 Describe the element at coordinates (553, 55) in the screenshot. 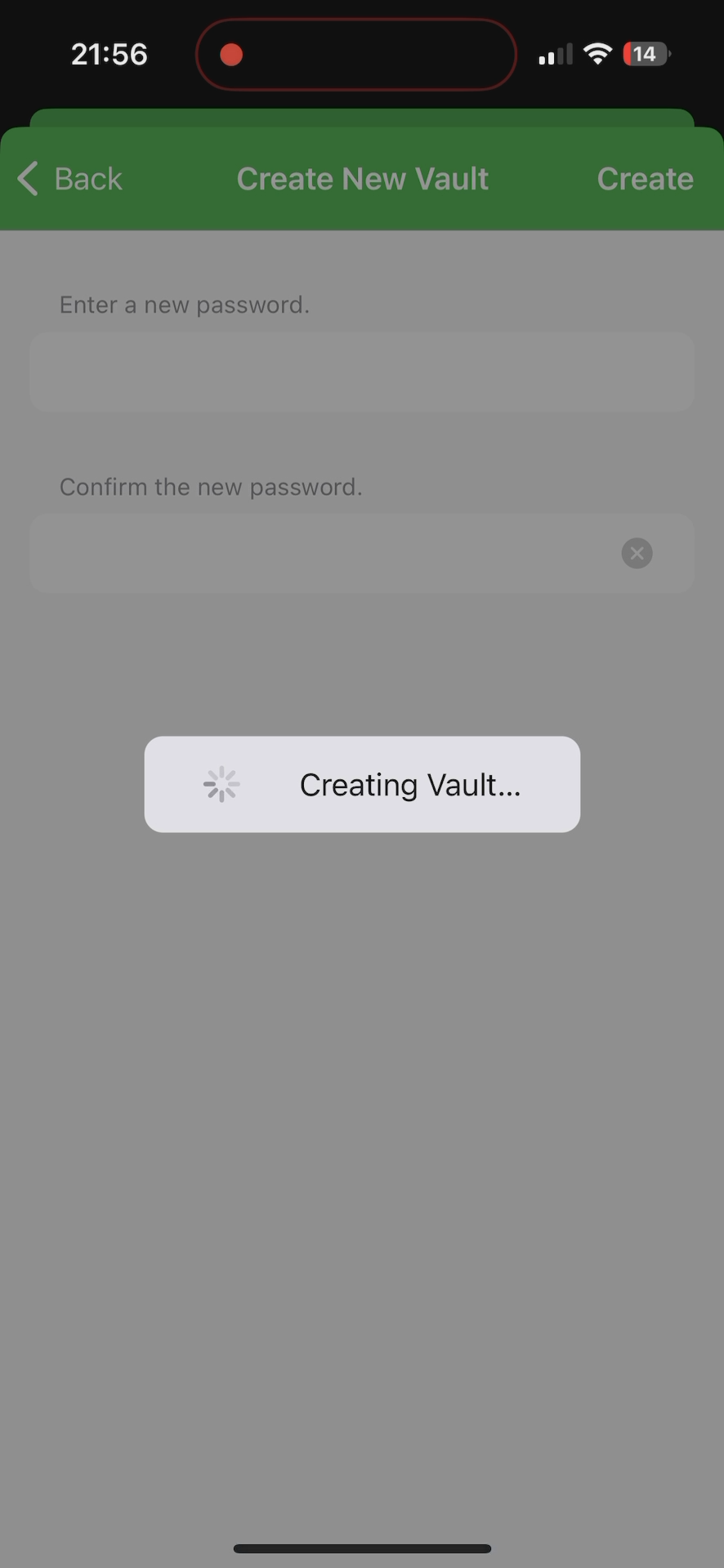

I see `signal` at that location.